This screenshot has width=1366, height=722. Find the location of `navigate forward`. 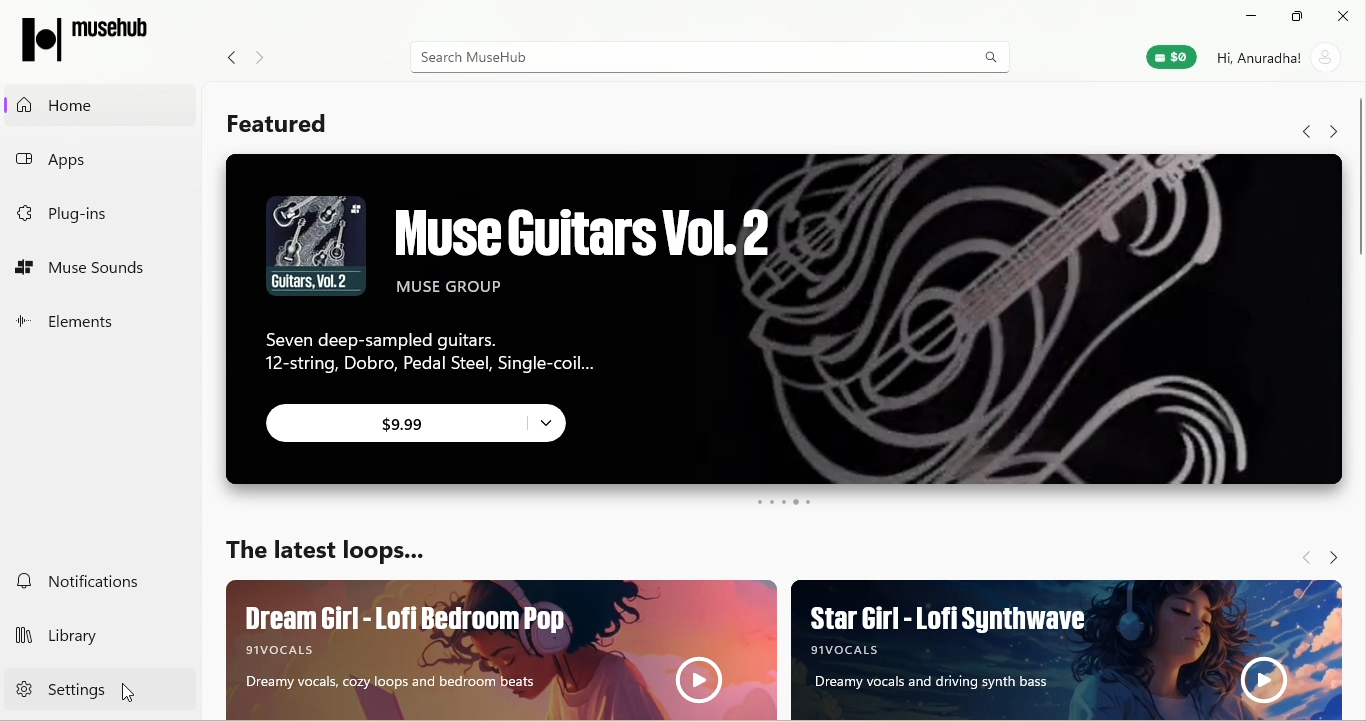

navigate forward is located at coordinates (1340, 556).